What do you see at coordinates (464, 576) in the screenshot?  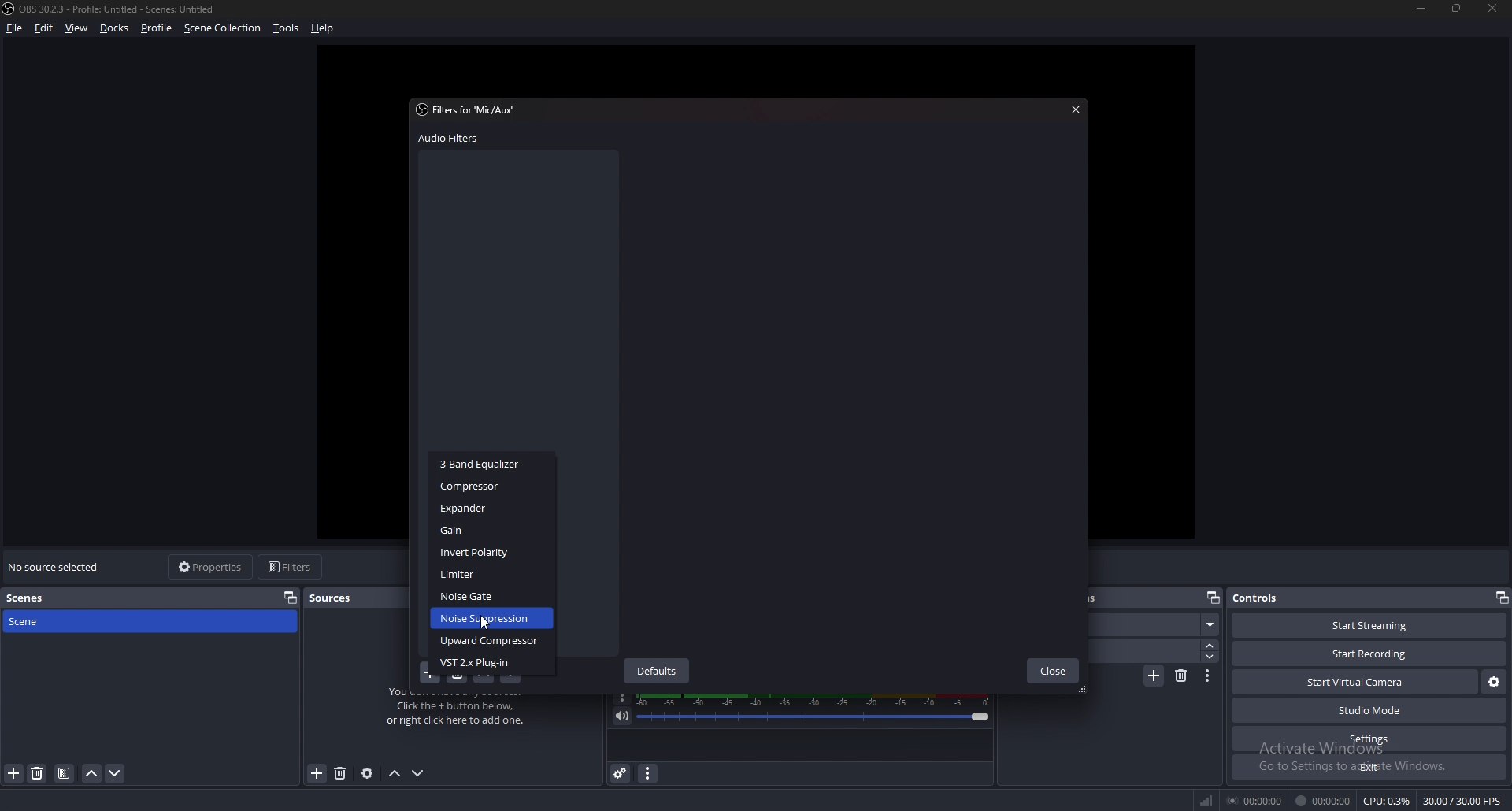 I see `Limiter` at bounding box center [464, 576].